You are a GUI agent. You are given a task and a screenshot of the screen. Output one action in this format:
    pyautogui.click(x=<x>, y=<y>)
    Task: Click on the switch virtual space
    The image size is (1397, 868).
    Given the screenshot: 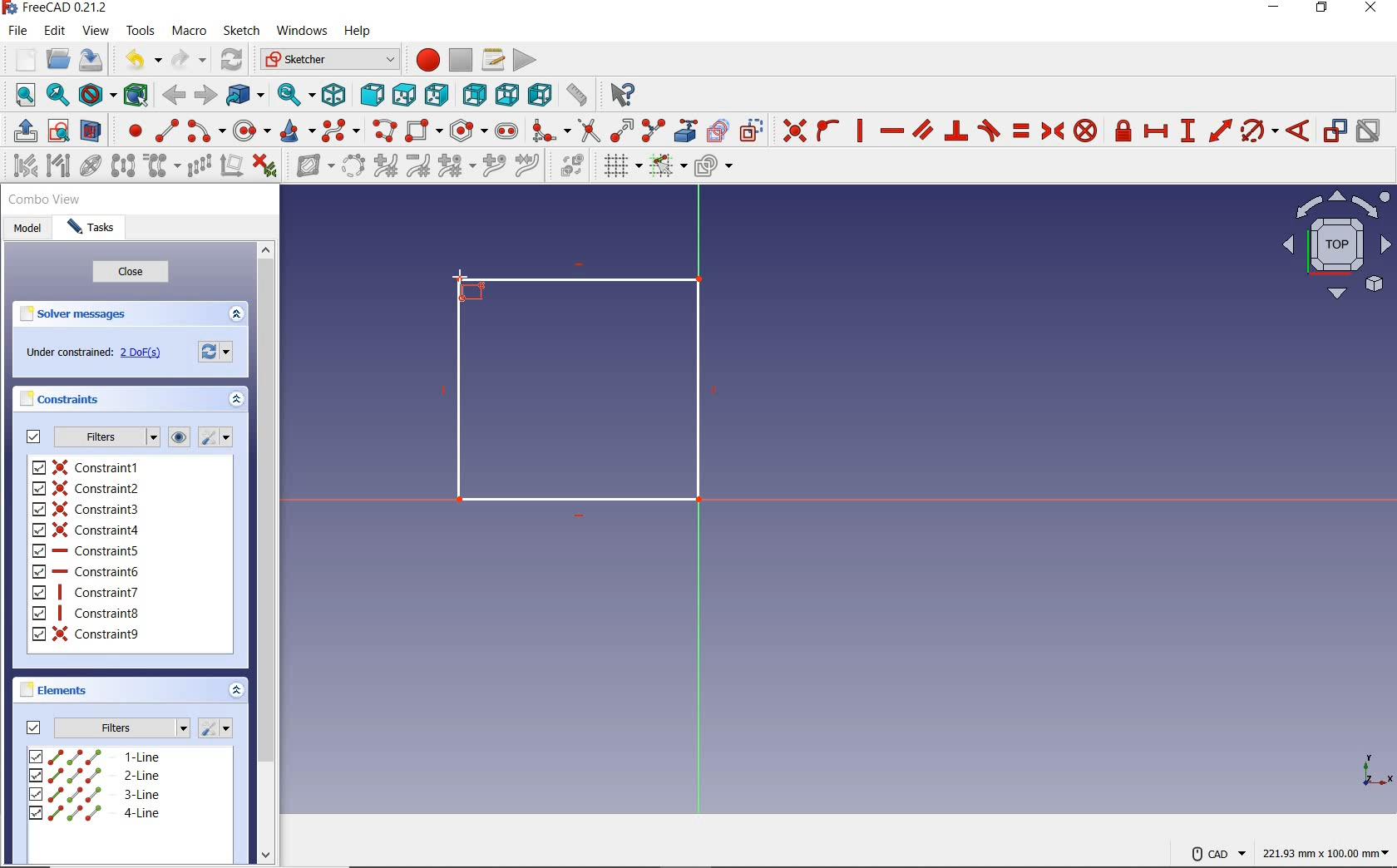 What is the action you would take?
    pyautogui.click(x=574, y=168)
    